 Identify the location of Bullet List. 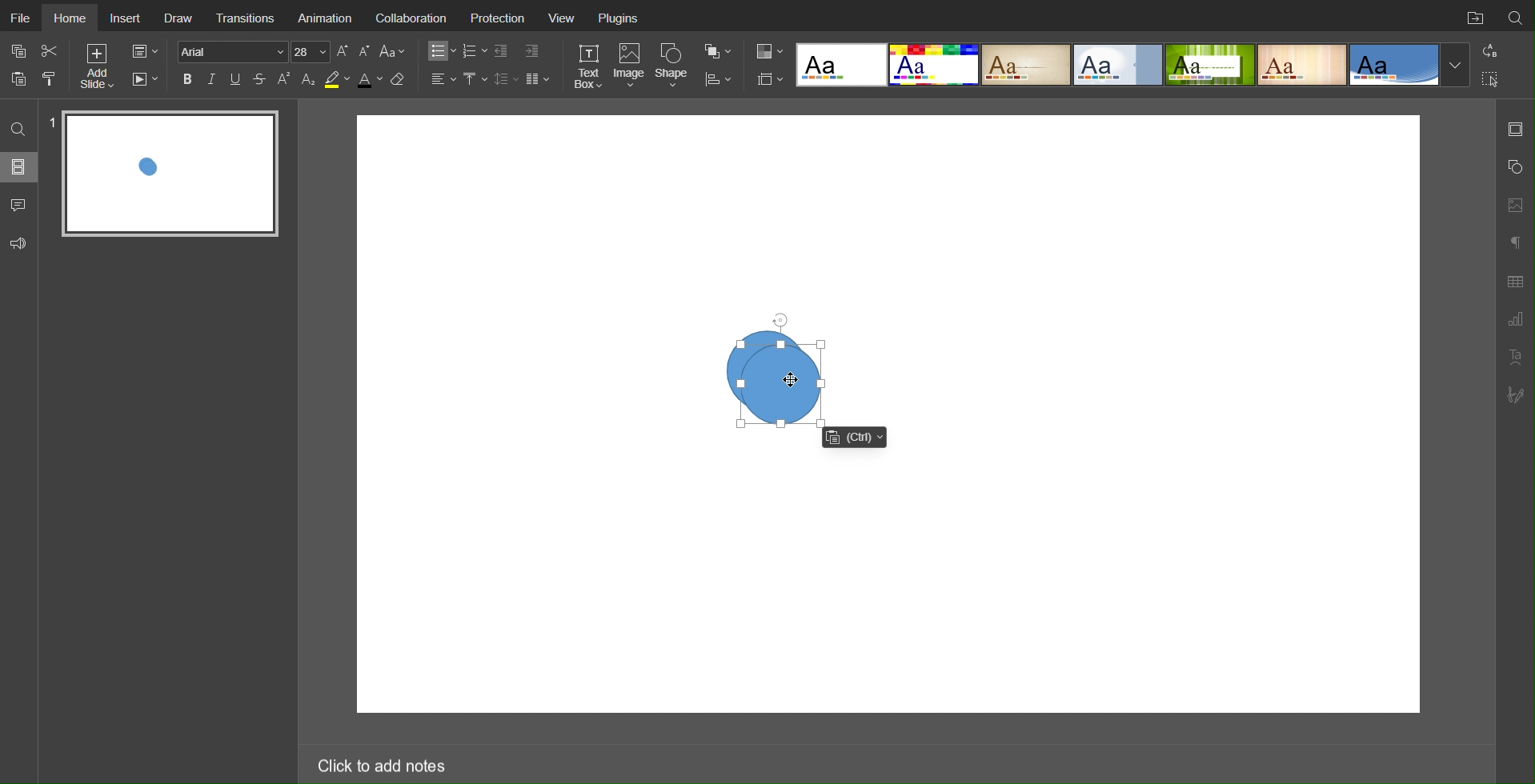
(439, 51).